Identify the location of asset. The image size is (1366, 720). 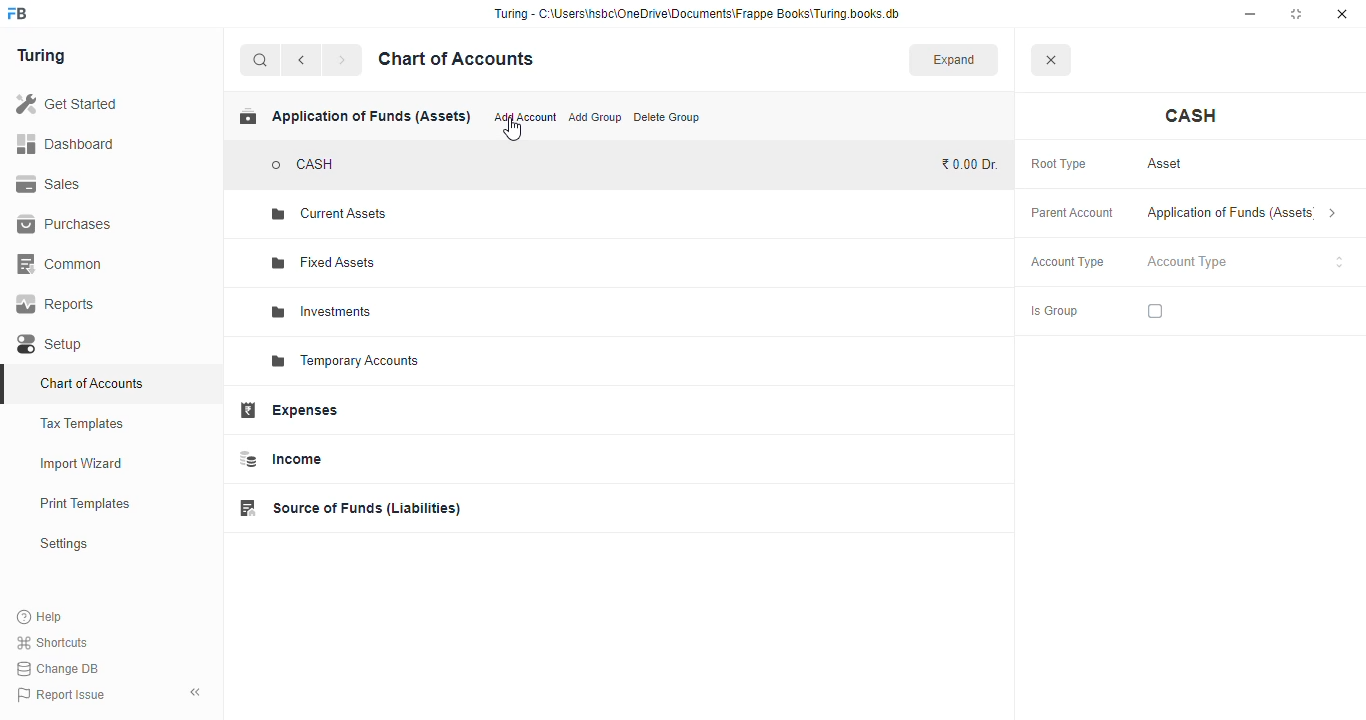
(1166, 164).